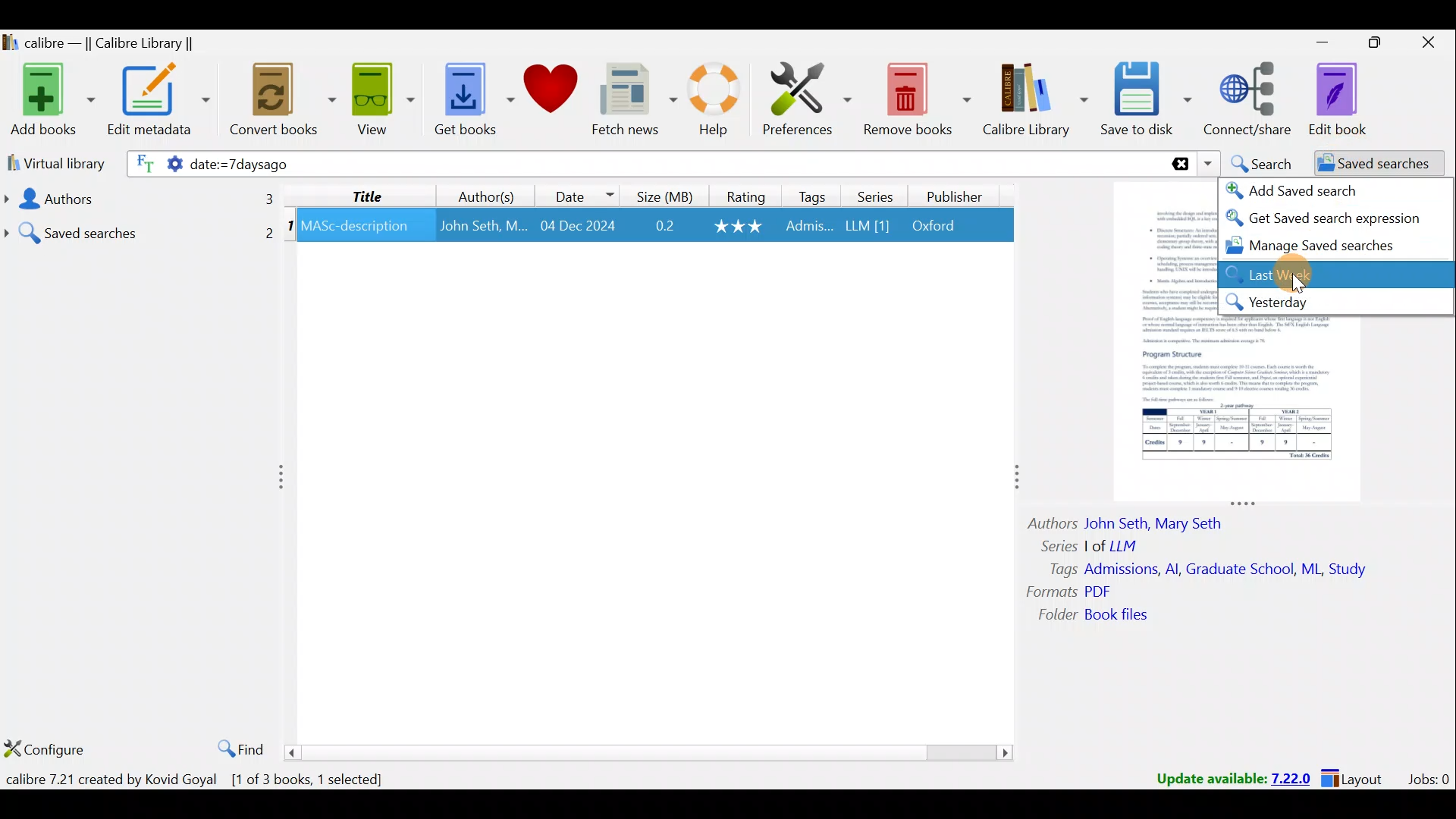  I want to click on Authors John Seth, Mary Seth, so click(1137, 521).